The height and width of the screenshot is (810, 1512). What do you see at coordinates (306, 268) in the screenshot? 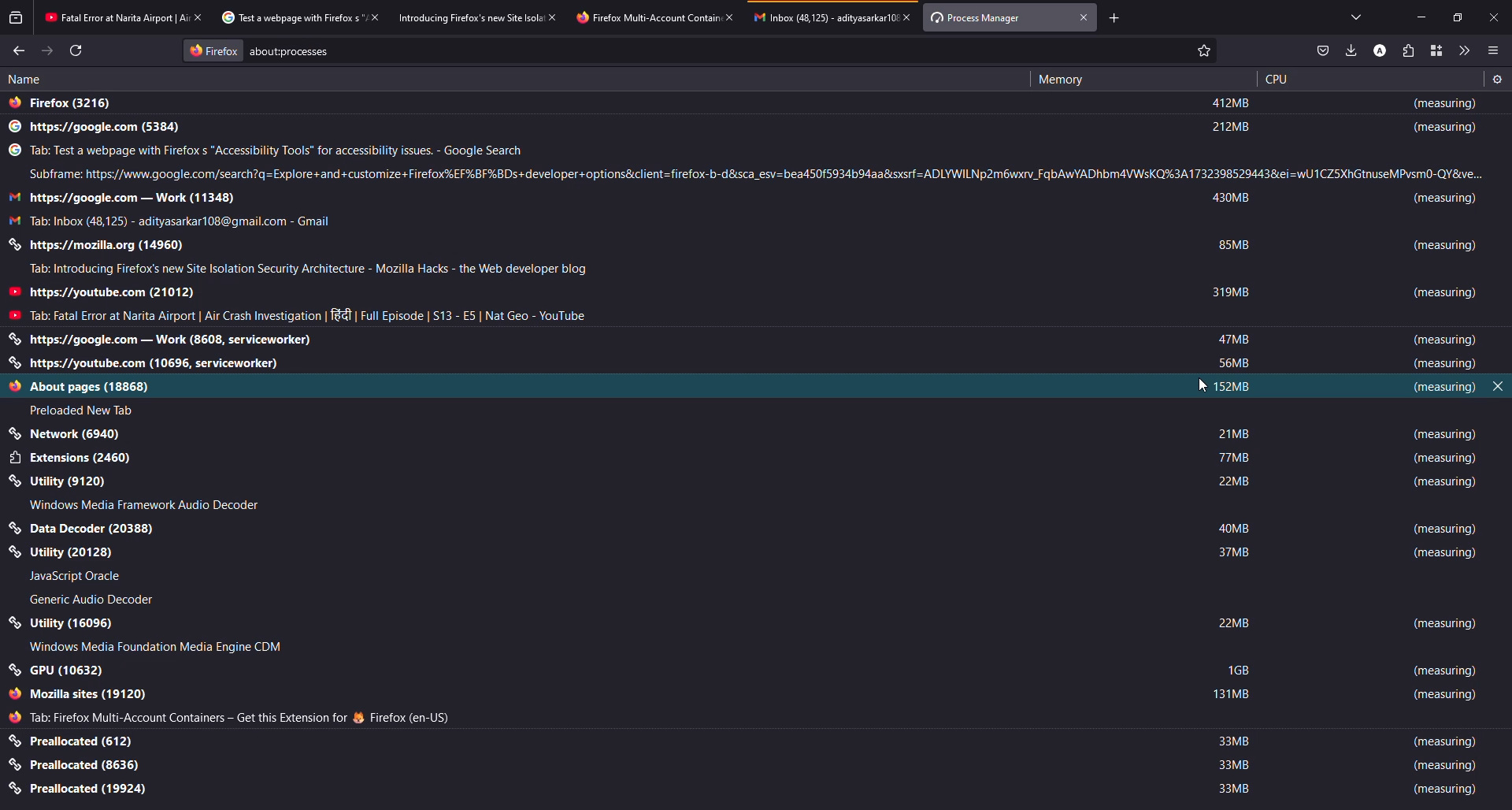
I see `Tab: Introducing Firefox's new site location security architecture - Mozilla hacks the web developer blog` at bounding box center [306, 268].